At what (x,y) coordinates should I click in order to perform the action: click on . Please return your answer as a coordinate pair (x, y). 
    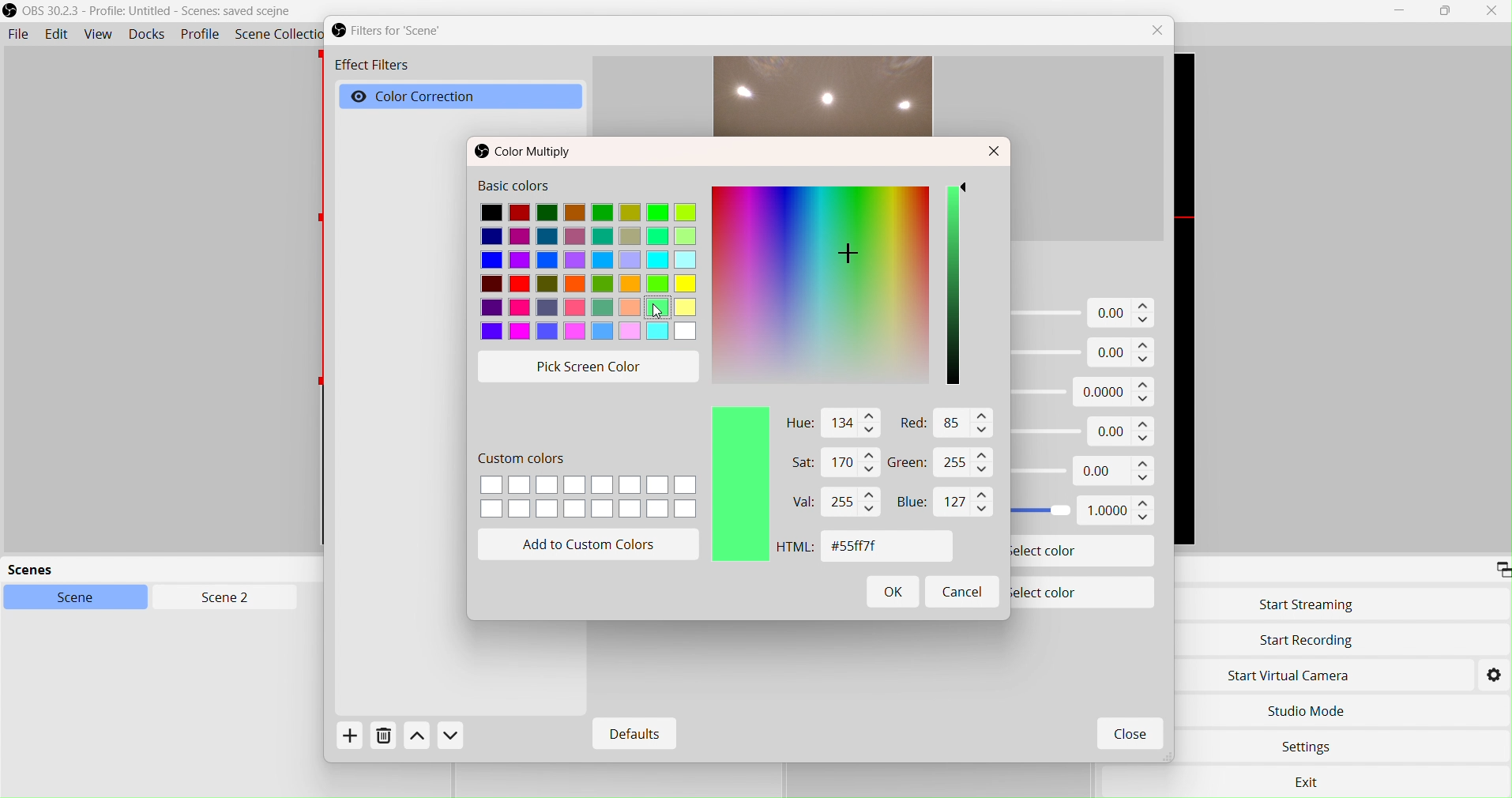
    Looking at the image, I should click on (180, 11).